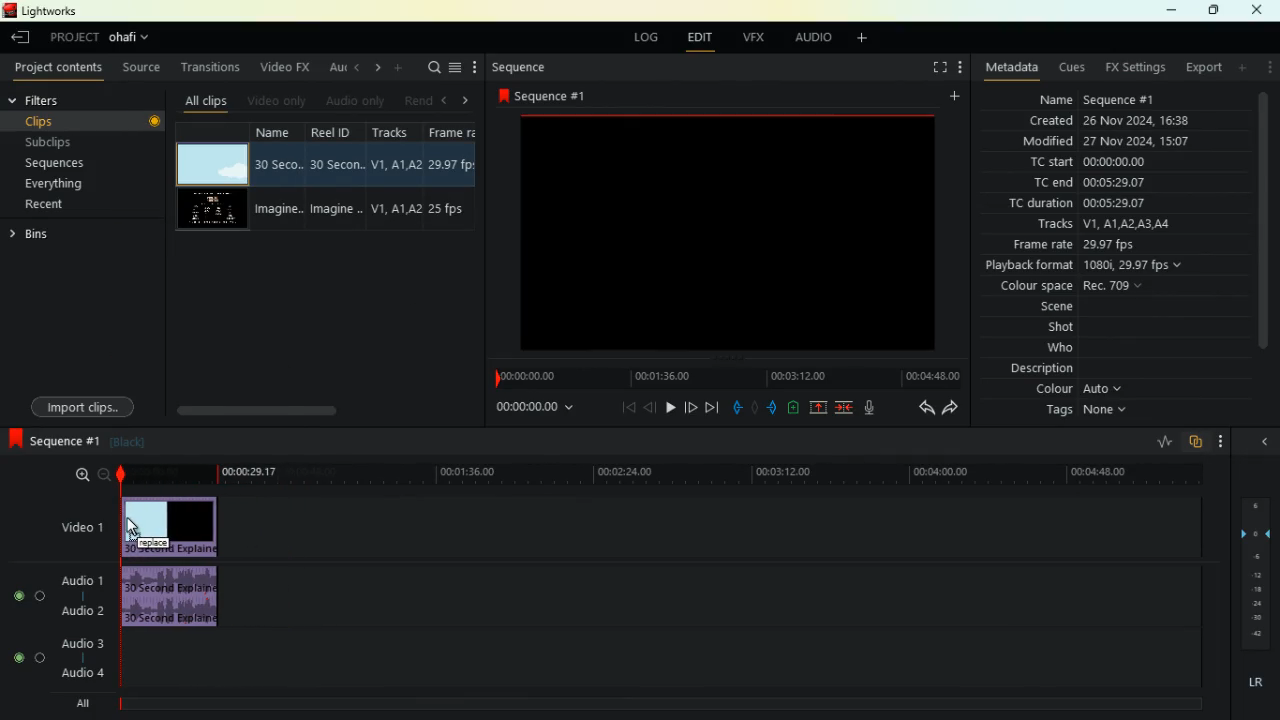  Describe the element at coordinates (126, 446) in the screenshot. I see `black` at that location.